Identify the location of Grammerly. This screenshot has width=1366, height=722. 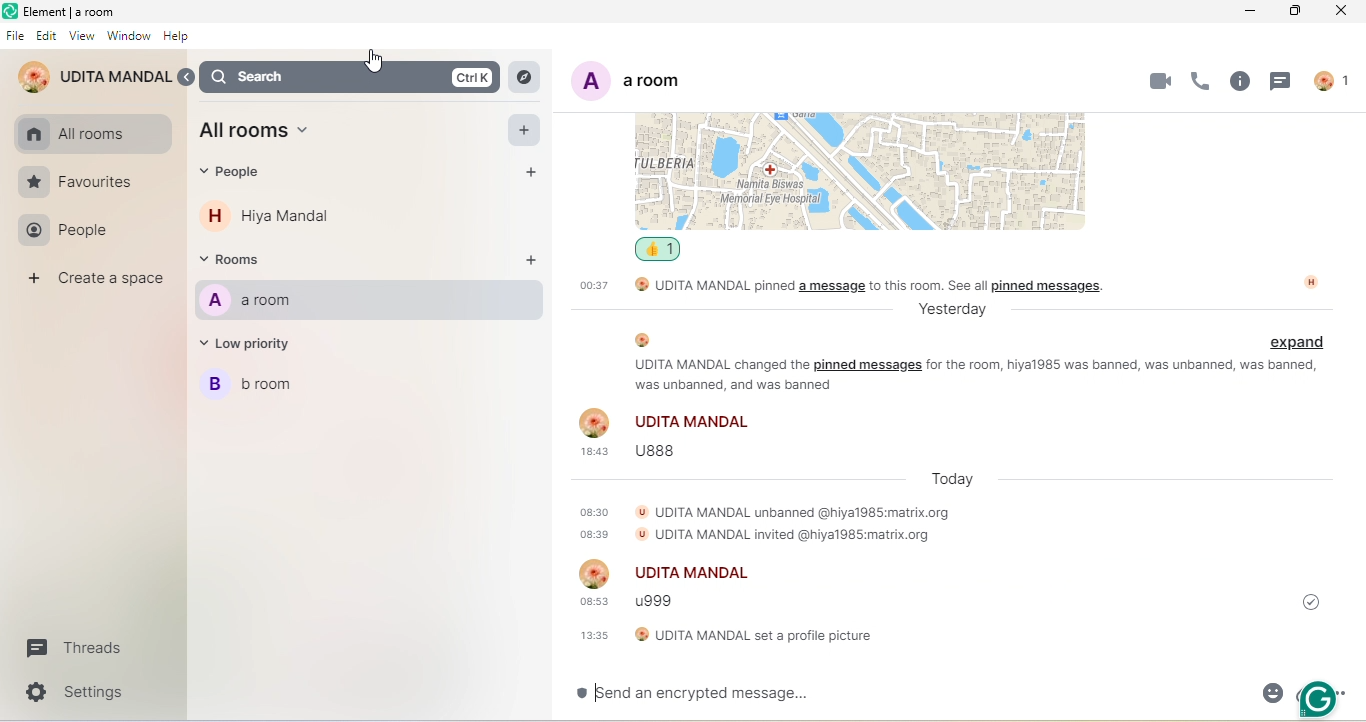
(1318, 701).